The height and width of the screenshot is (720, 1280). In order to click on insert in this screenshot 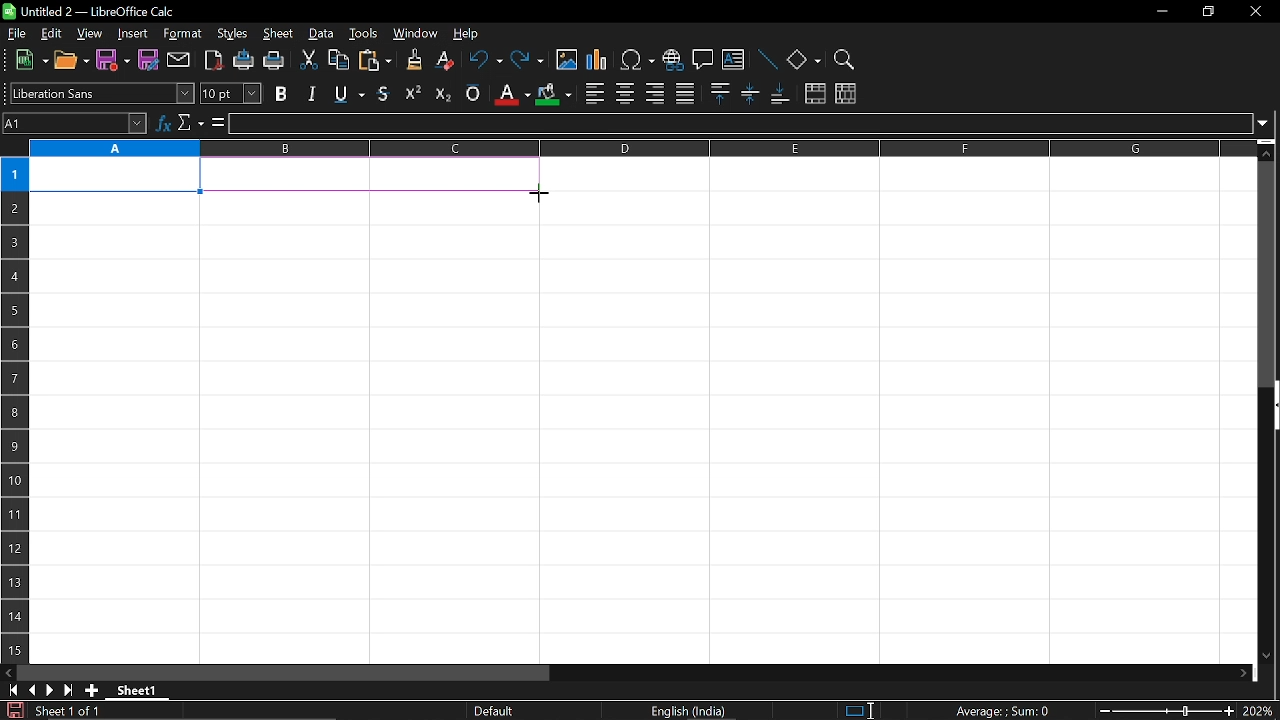, I will do `click(133, 34)`.